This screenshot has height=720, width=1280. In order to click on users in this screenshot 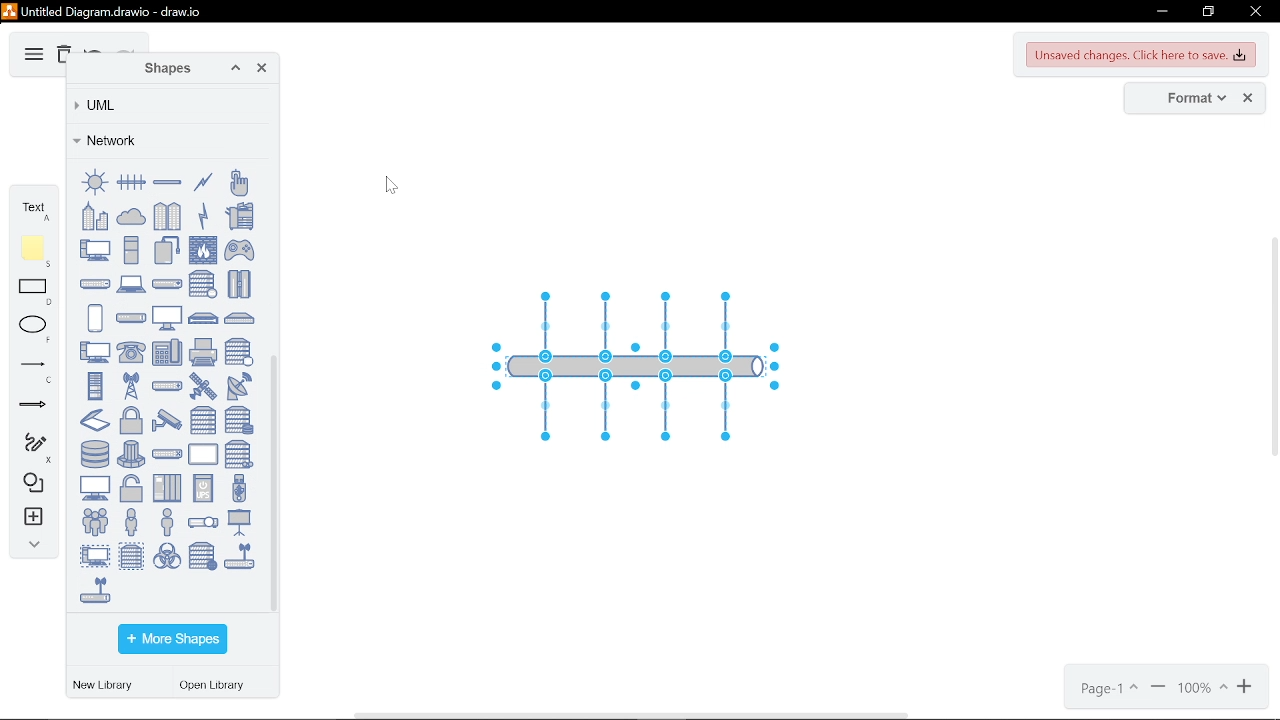, I will do `click(95, 521)`.